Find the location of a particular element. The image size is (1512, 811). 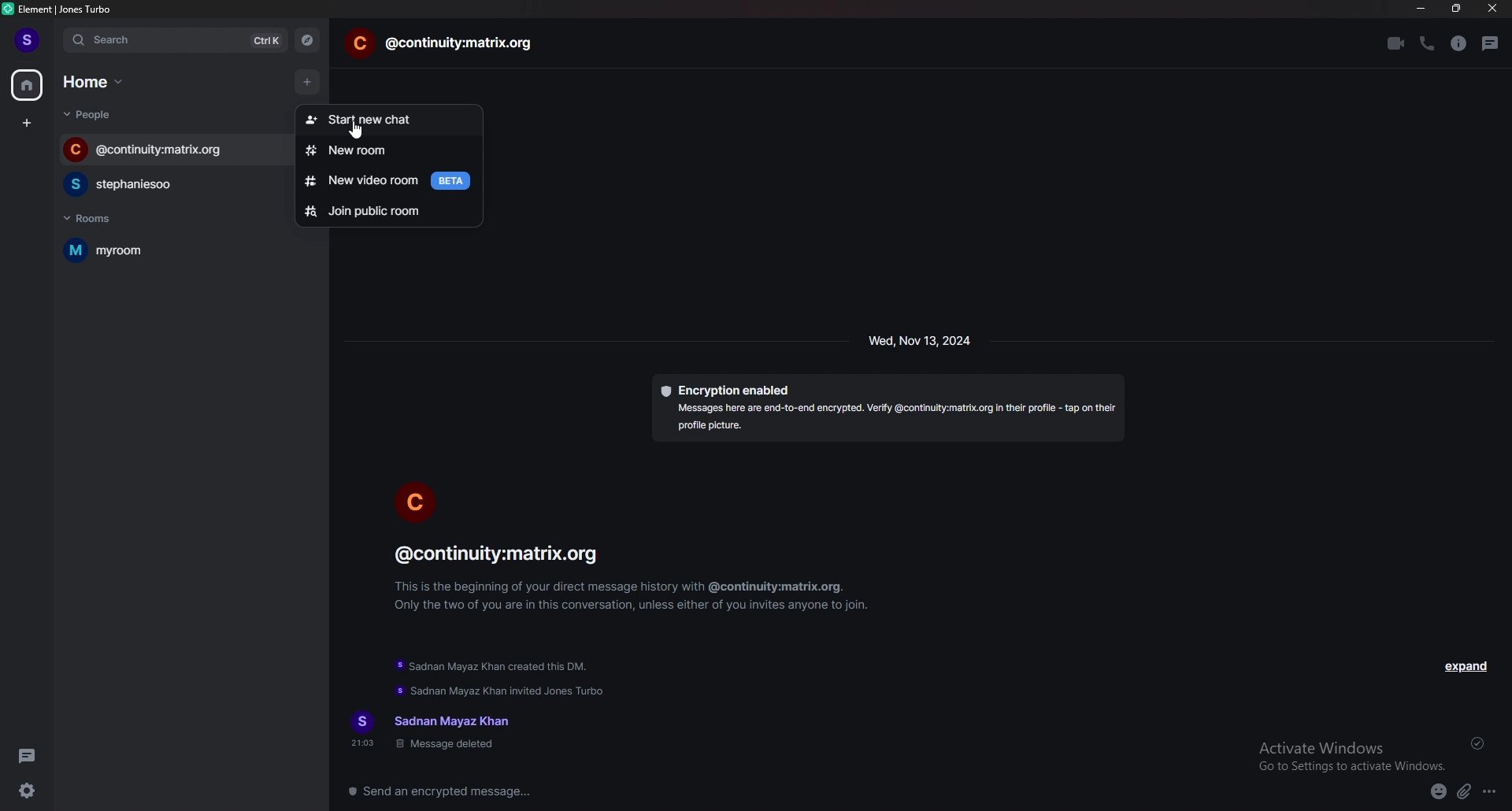

new room is located at coordinates (392, 150).